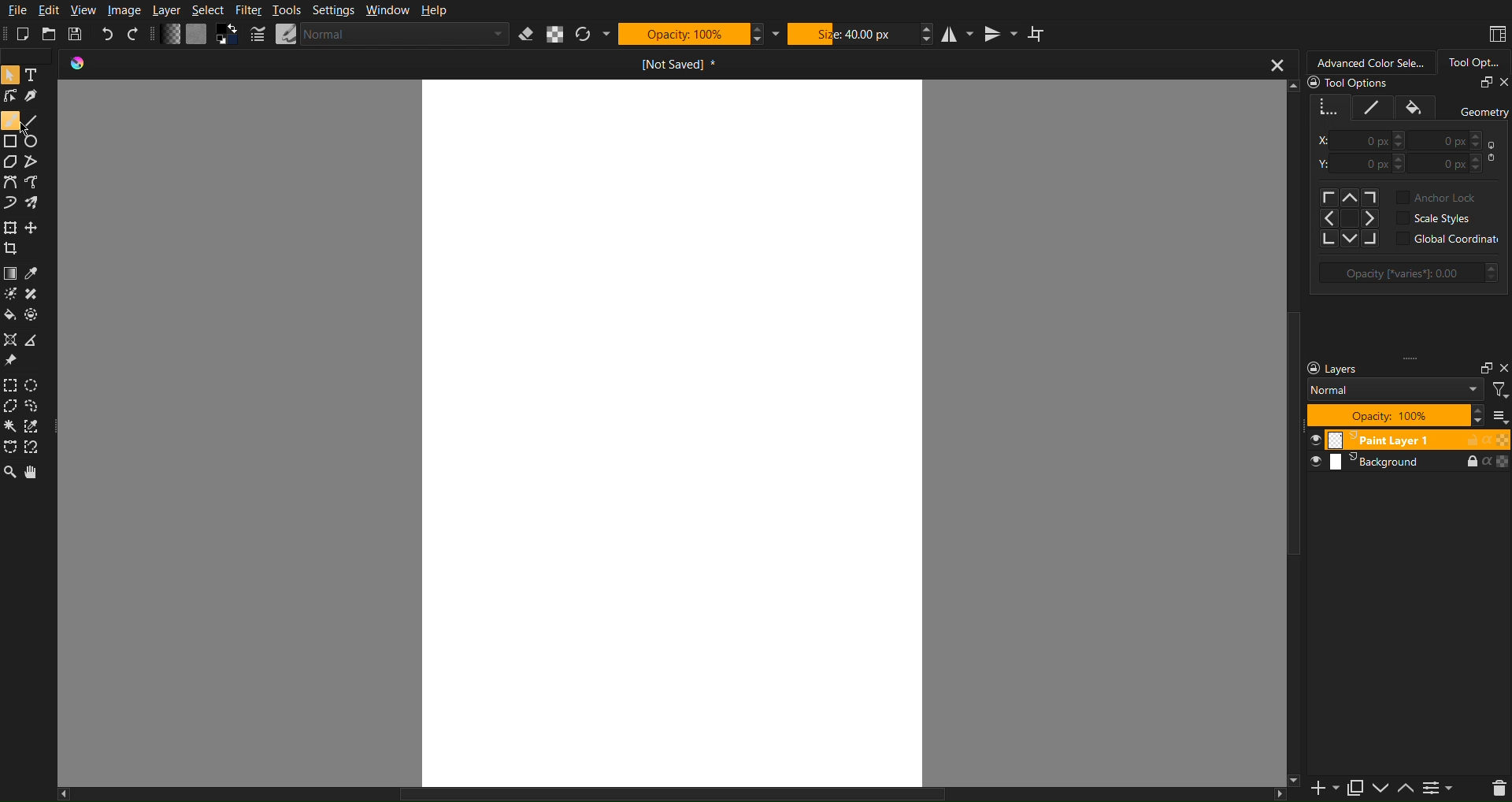 This screenshot has height=802, width=1512. I want to click on New, so click(23, 34).